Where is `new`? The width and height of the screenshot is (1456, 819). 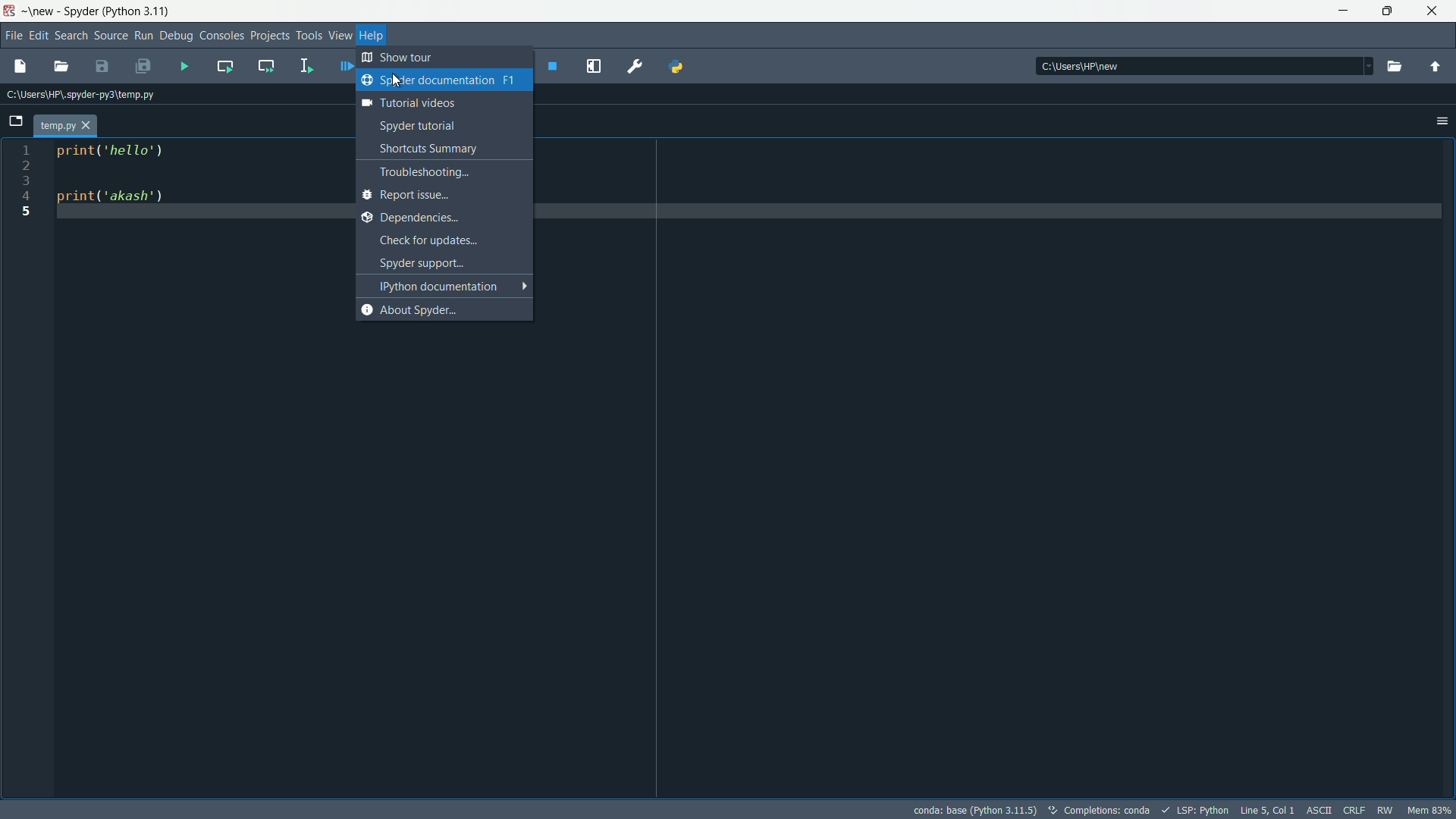
new is located at coordinates (42, 12).